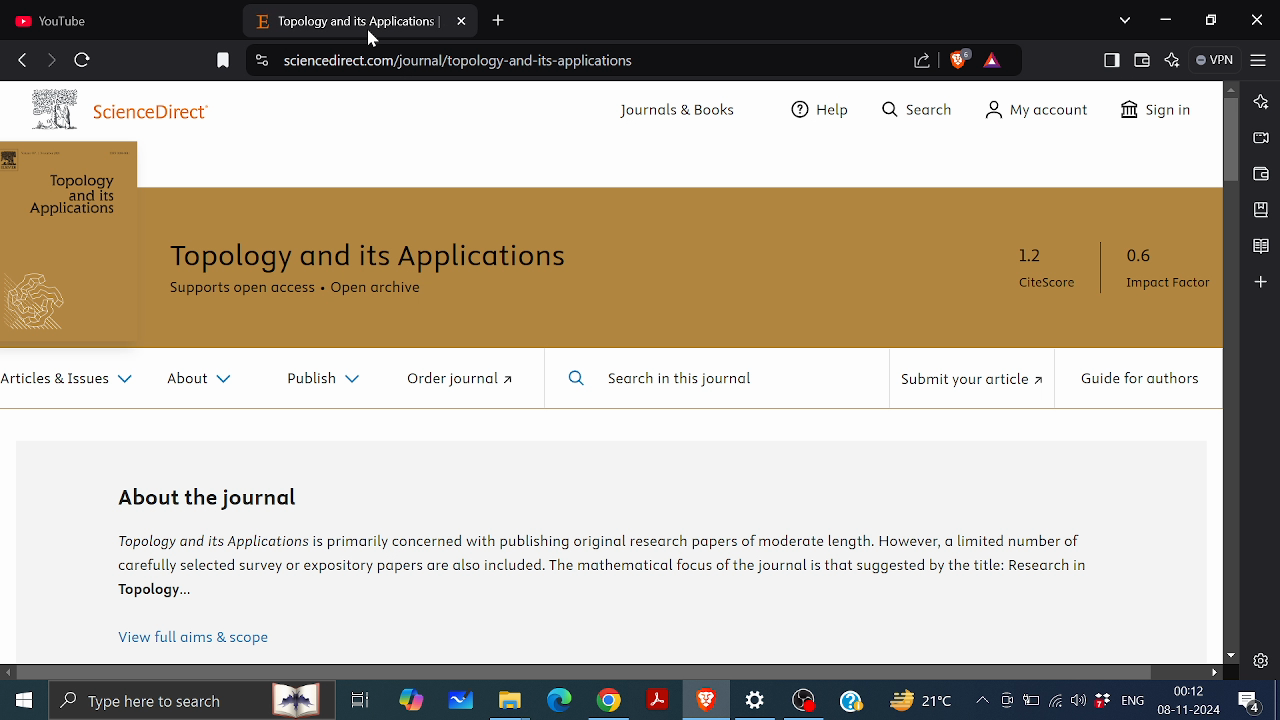 This screenshot has width=1280, height=720. What do you see at coordinates (224, 19) in the screenshot?
I see `Close current tab` at bounding box center [224, 19].